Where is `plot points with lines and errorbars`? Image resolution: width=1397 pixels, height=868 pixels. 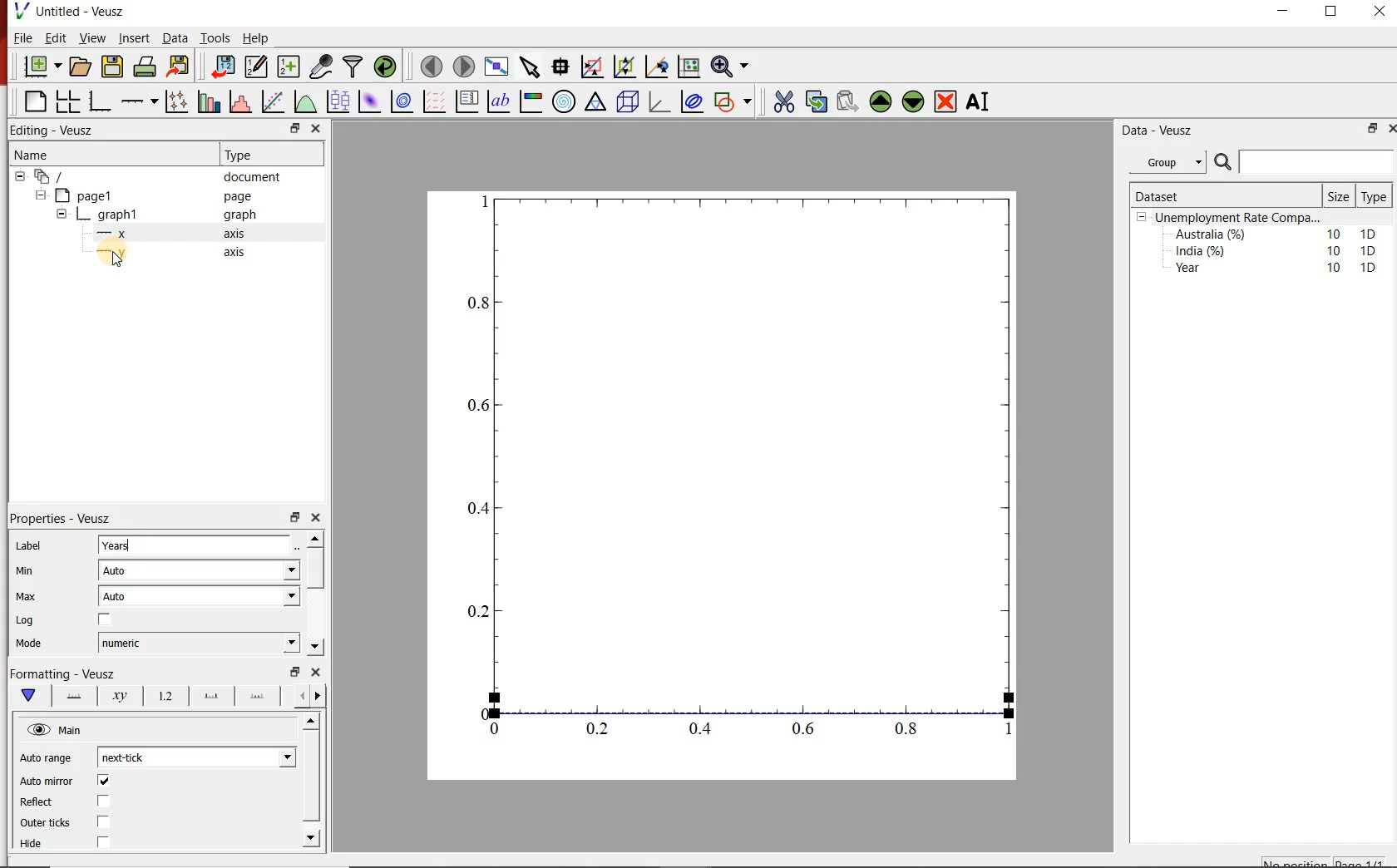
plot points with lines and errorbars is located at coordinates (176, 101).